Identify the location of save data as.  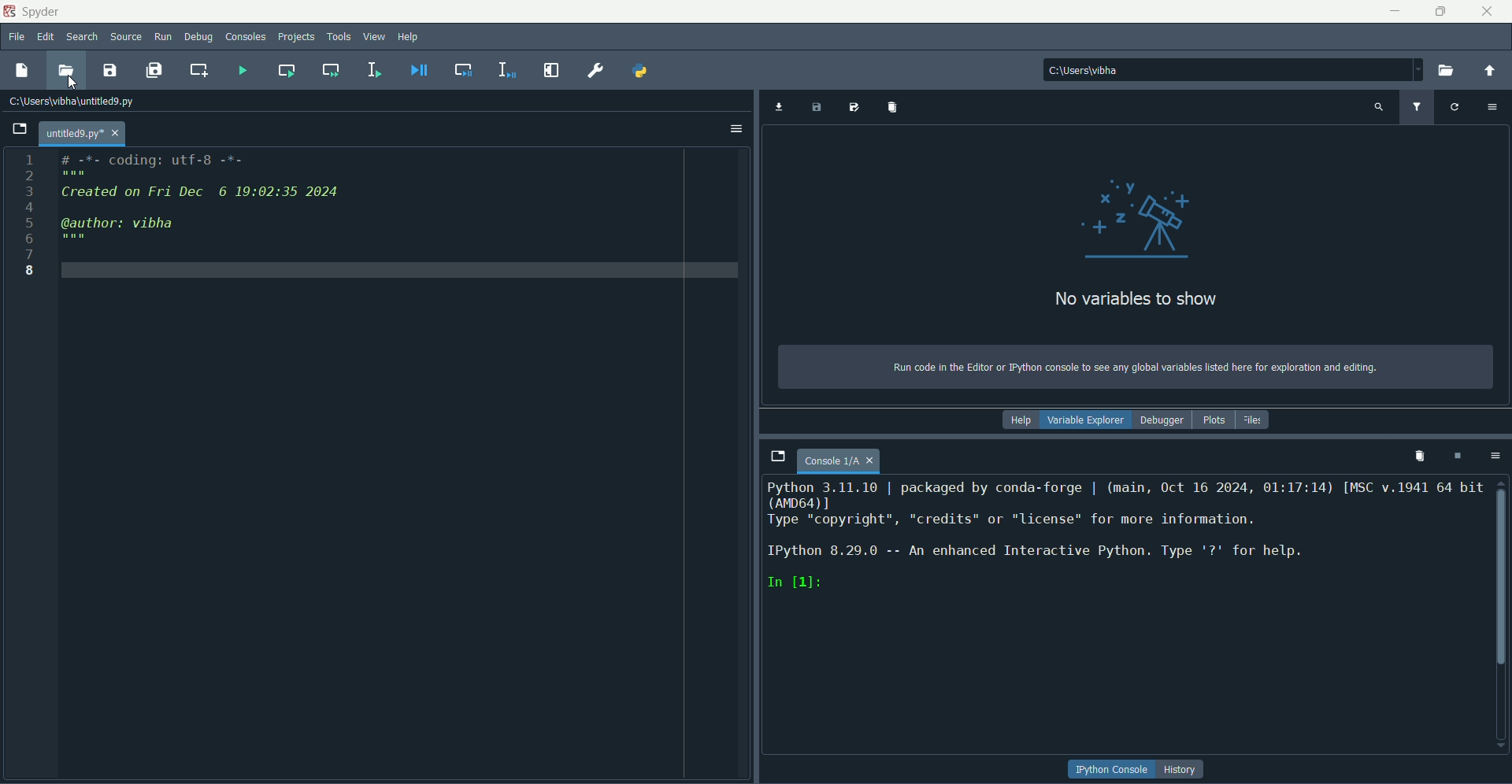
(853, 107).